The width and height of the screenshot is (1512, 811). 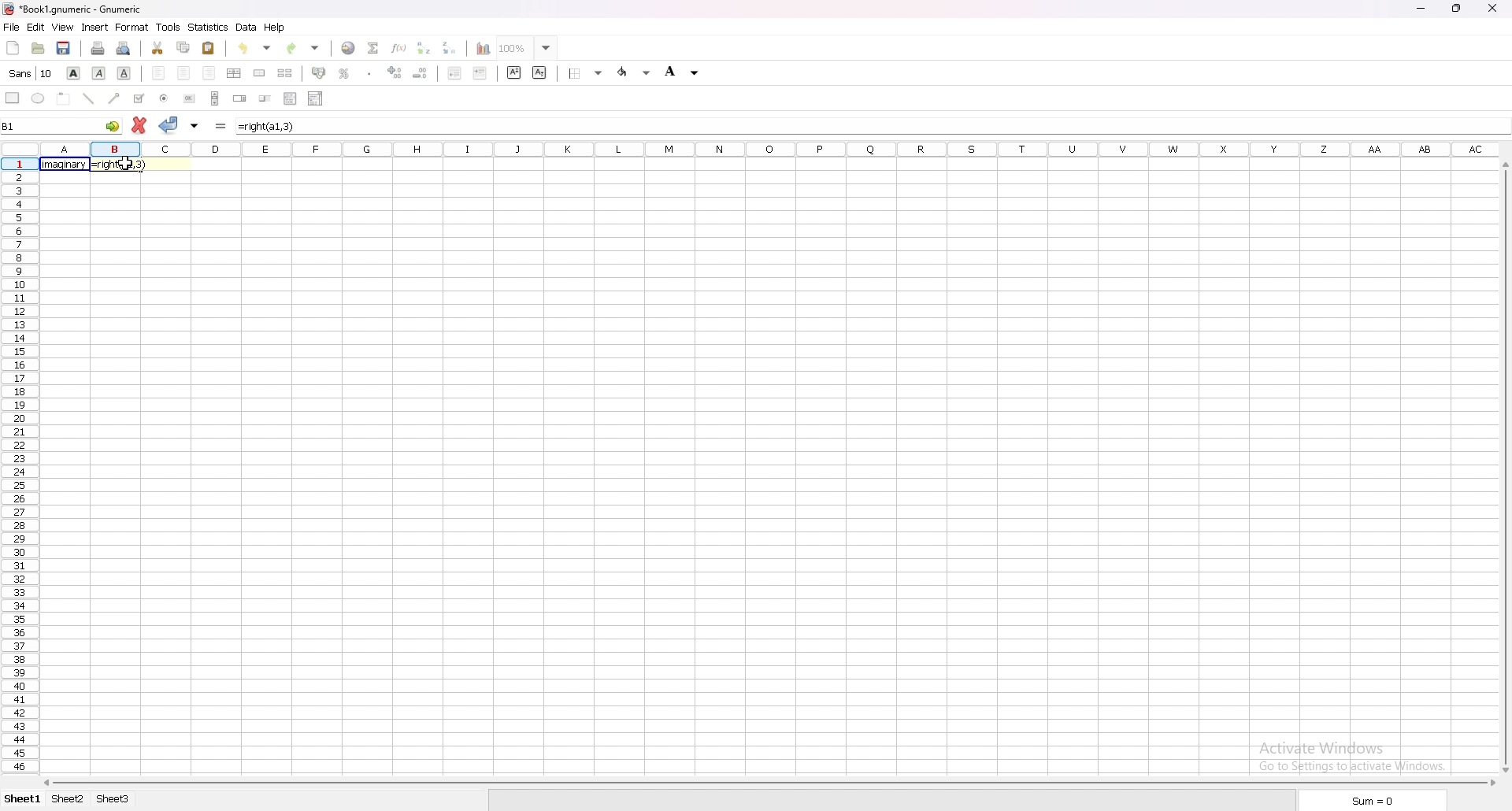 What do you see at coordinates (285, 72) in the screenshot?
I see `split merged cells` at bounding box center [285, 72].